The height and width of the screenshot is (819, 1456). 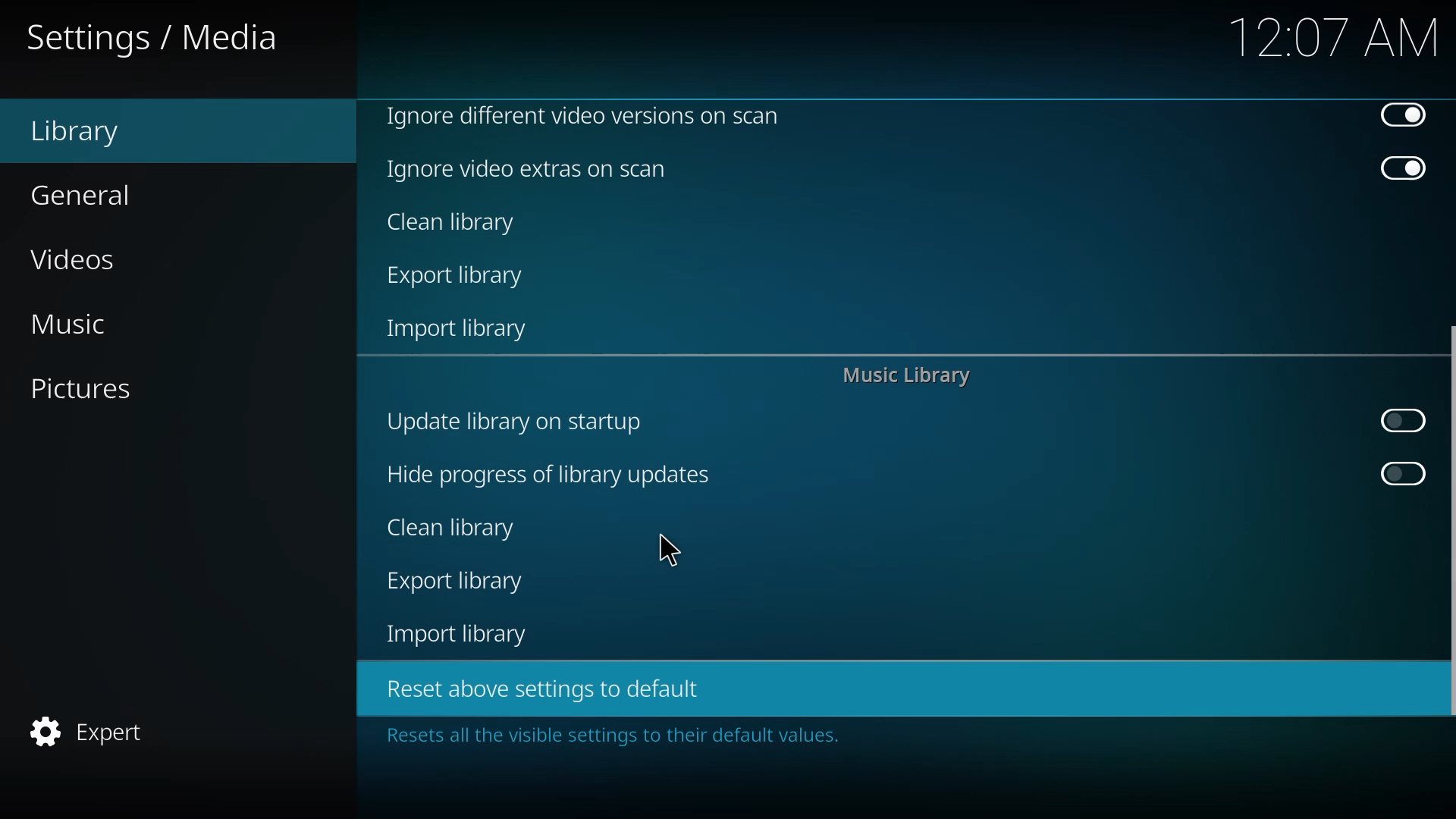 What do you see at coordinates (75, 133) in the screenshot?
I see `library` at bounding box center [75, 133].